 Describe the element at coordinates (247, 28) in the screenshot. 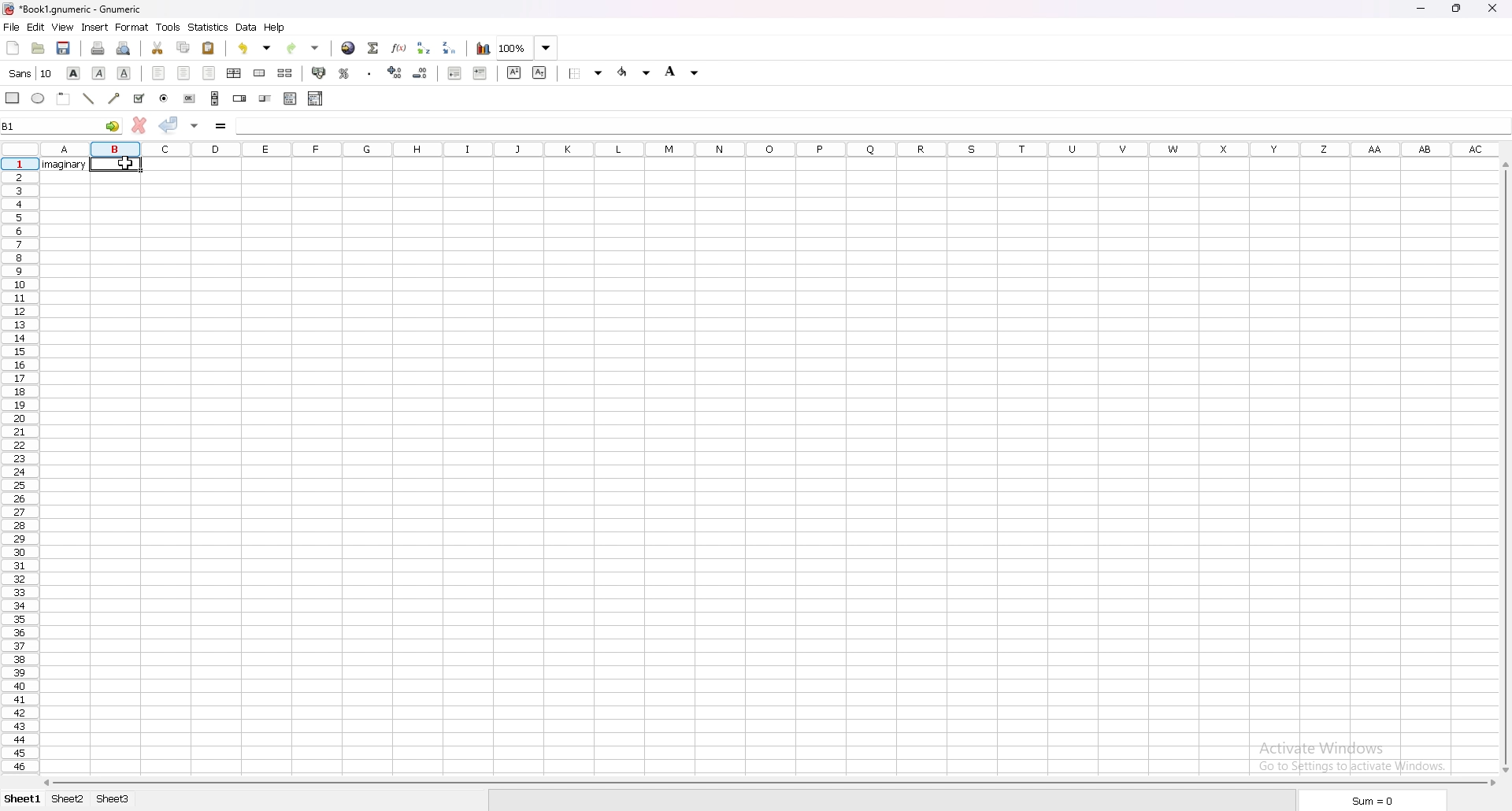

I see `data` at that location.